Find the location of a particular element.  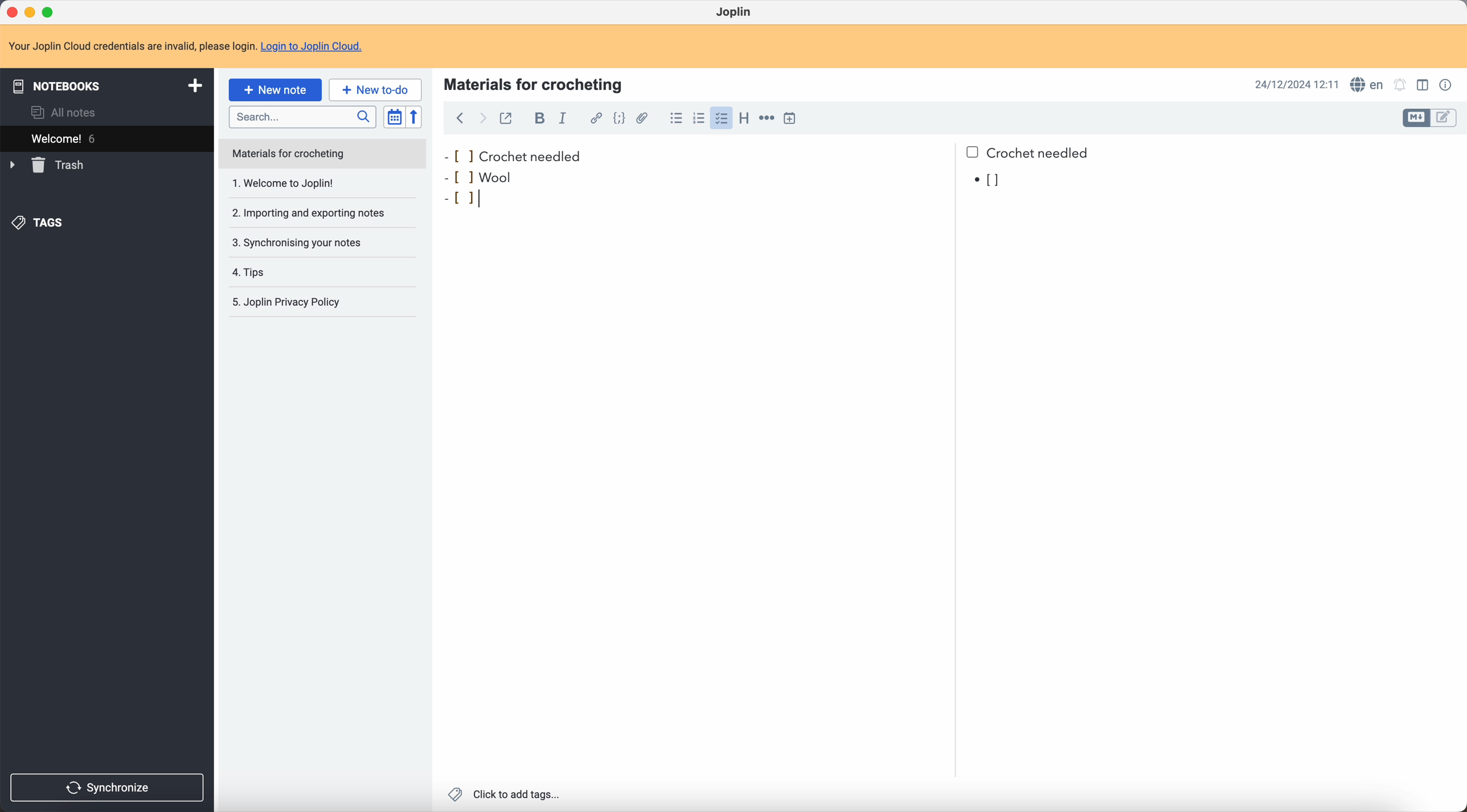

heading is located at coordinates (743, 118).